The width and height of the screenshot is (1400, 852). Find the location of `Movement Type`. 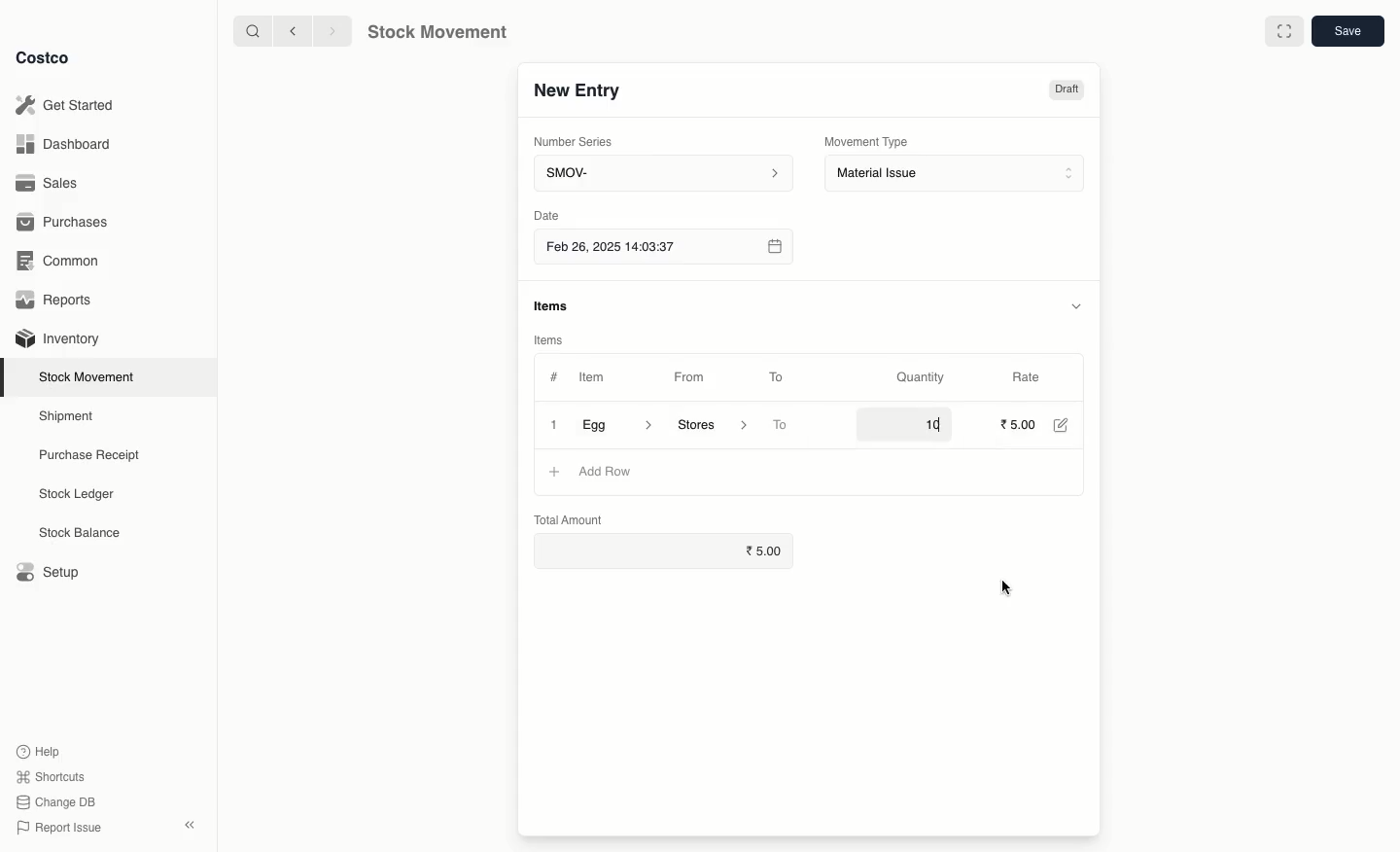

Movement Type is located at coordinates (867, 141).